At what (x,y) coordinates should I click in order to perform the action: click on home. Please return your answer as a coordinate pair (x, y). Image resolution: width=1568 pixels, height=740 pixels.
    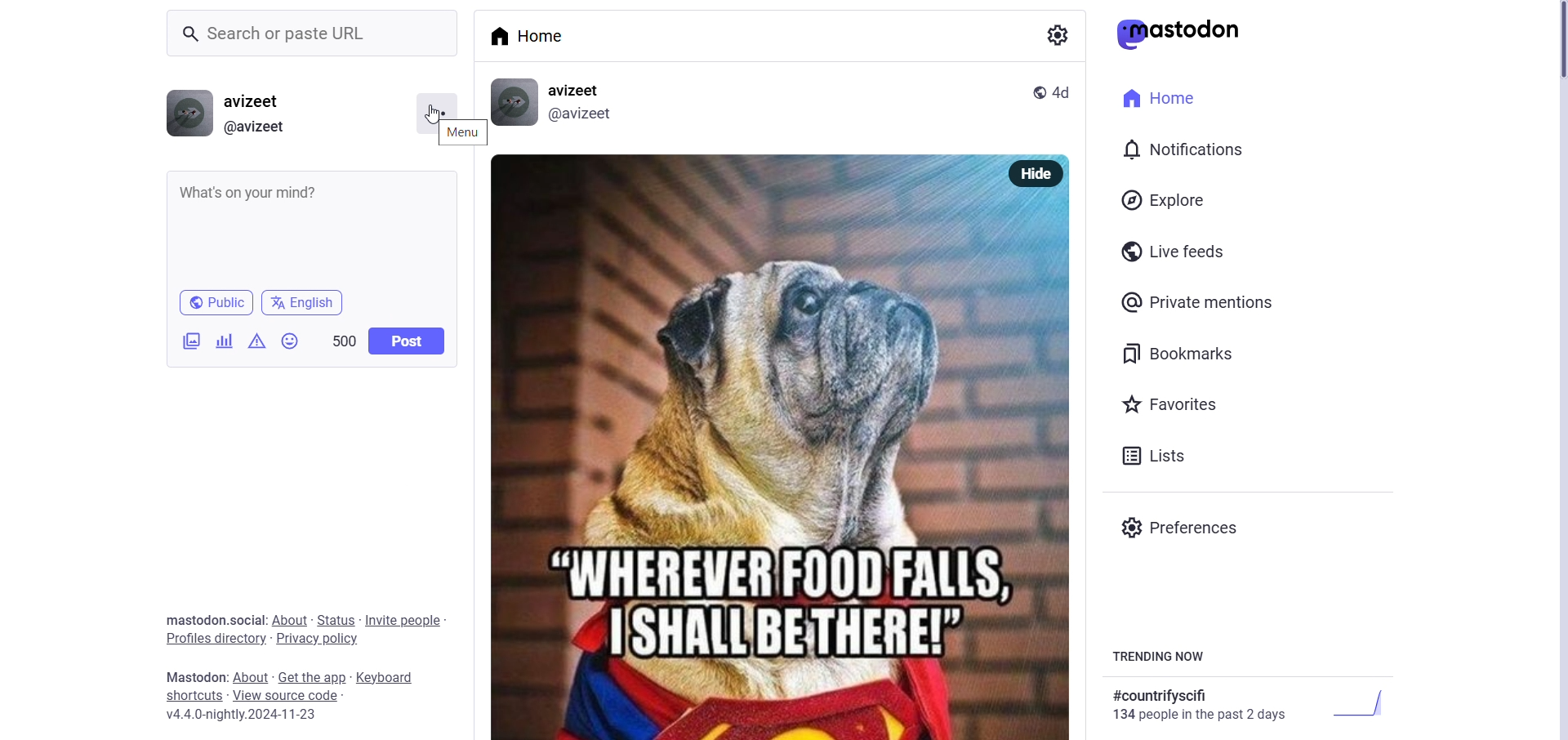
    Looking at the image, I should click on (541, 38).